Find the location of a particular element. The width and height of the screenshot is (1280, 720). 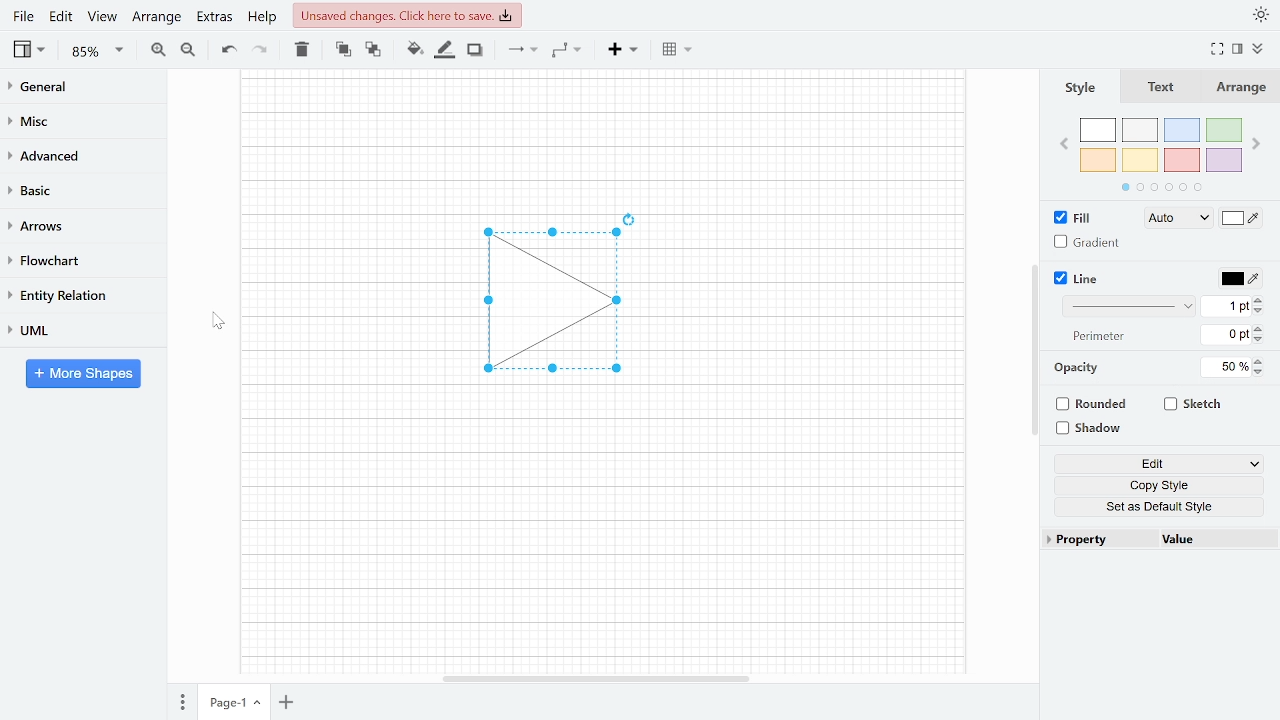

Page options is located at coordinates (260, 705).